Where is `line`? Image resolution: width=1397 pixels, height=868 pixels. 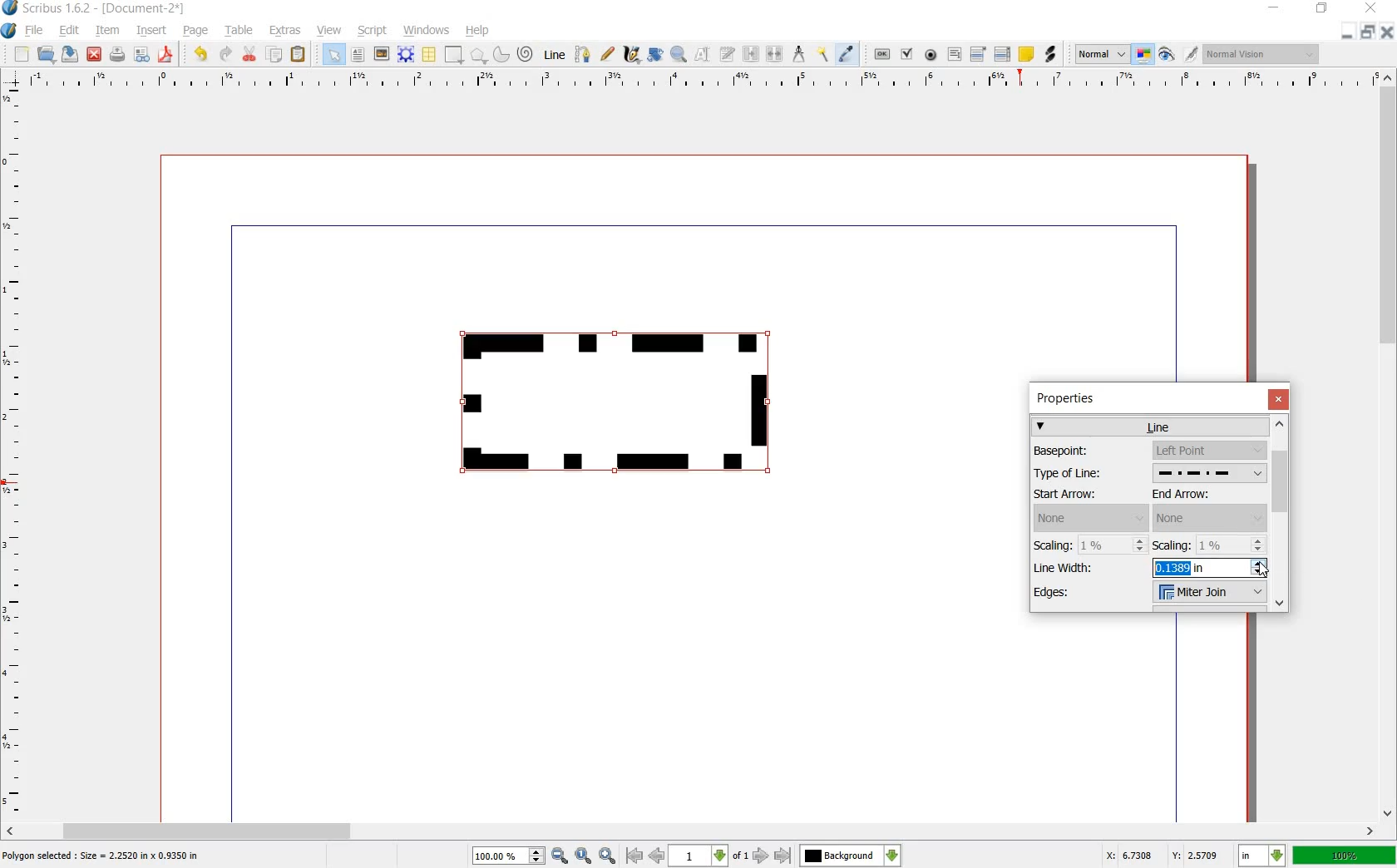 line is located at coordinates (1152, 426).